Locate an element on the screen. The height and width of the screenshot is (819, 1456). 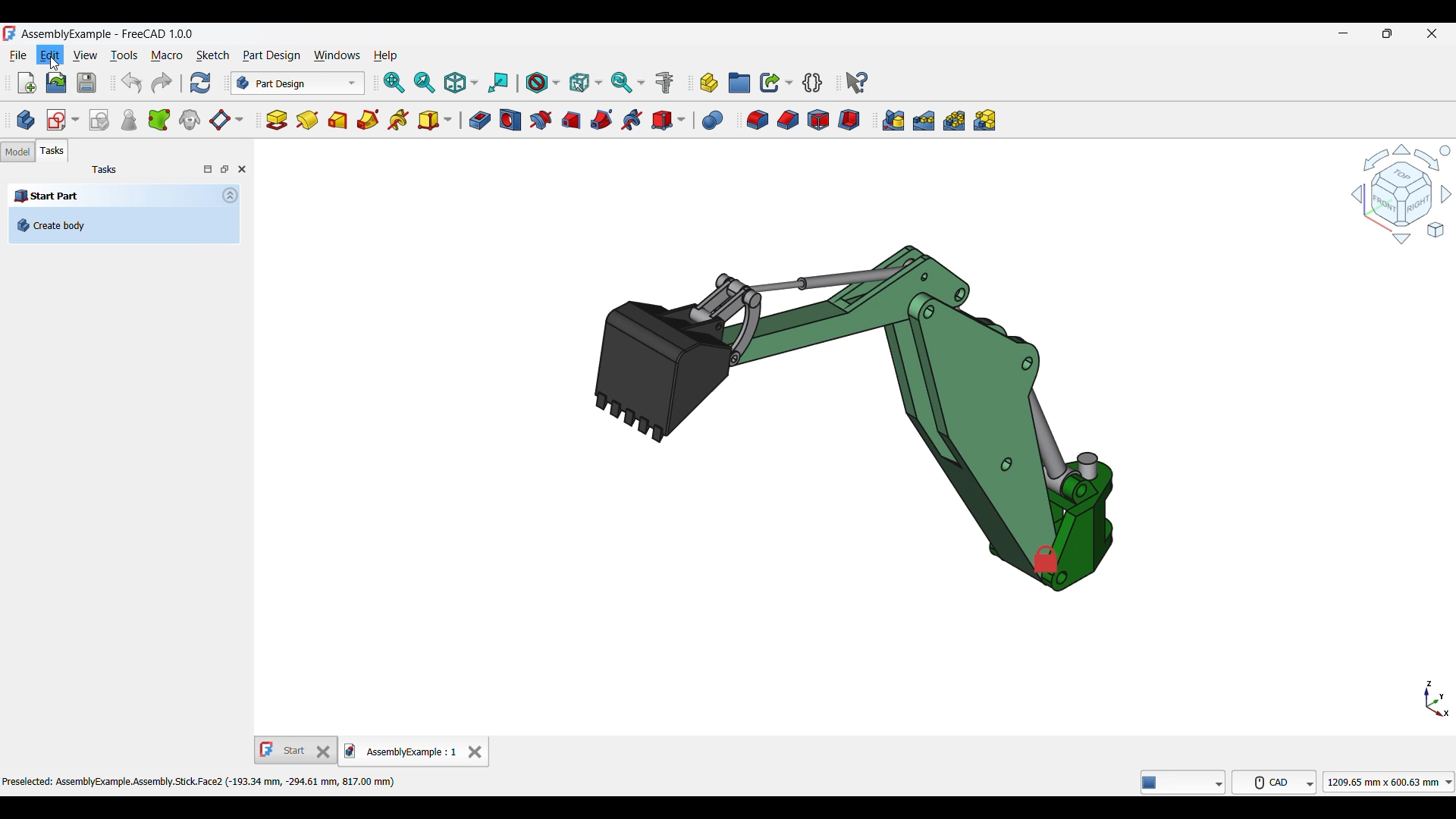
Create body is located at coordinates (124, 225).